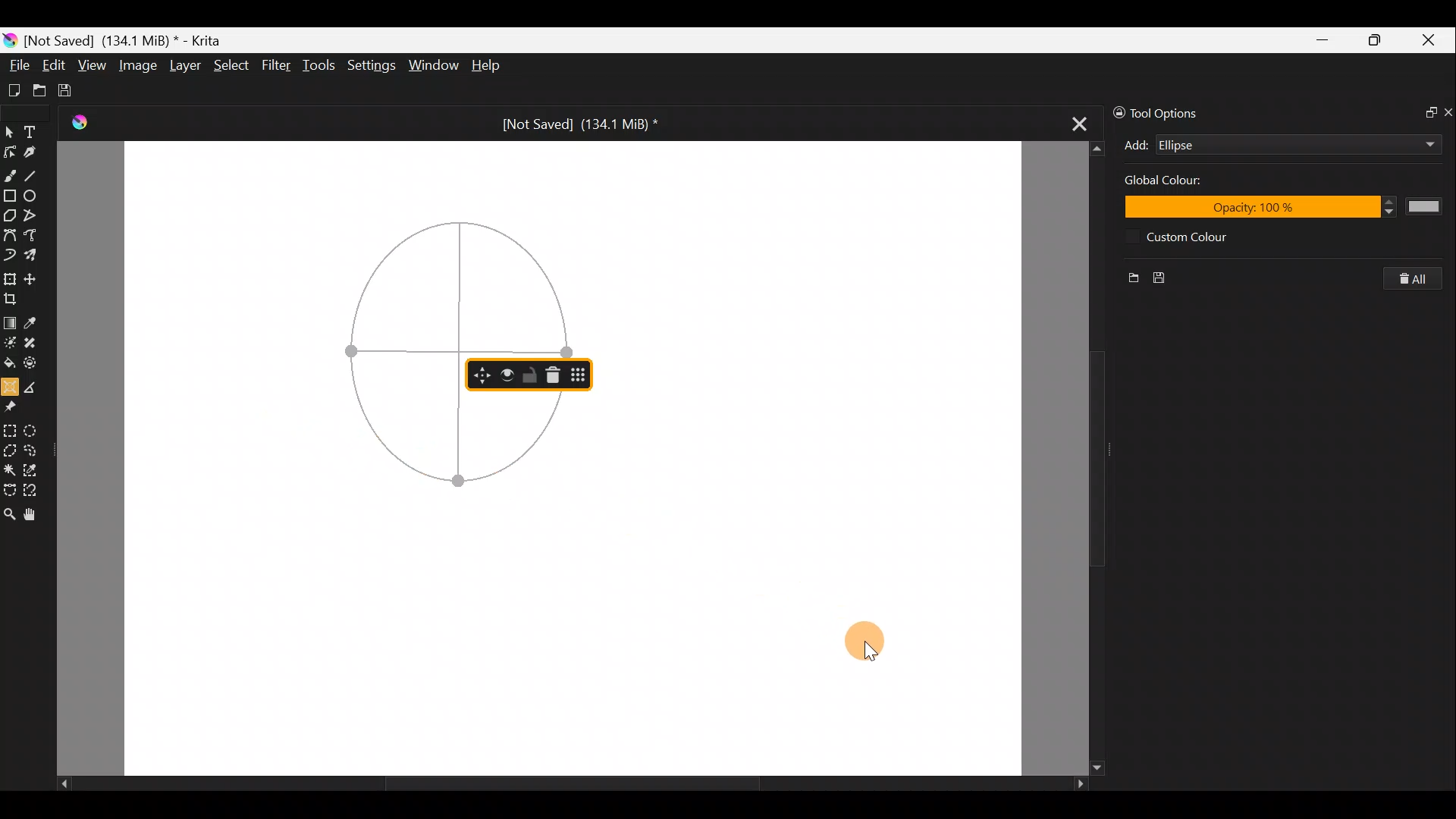 This screenshot has width=1456, height=819. What do you see at coordinates (33, 257) in the screenshot?
I see `Multibrush tool` at bounding box center [33, 257].